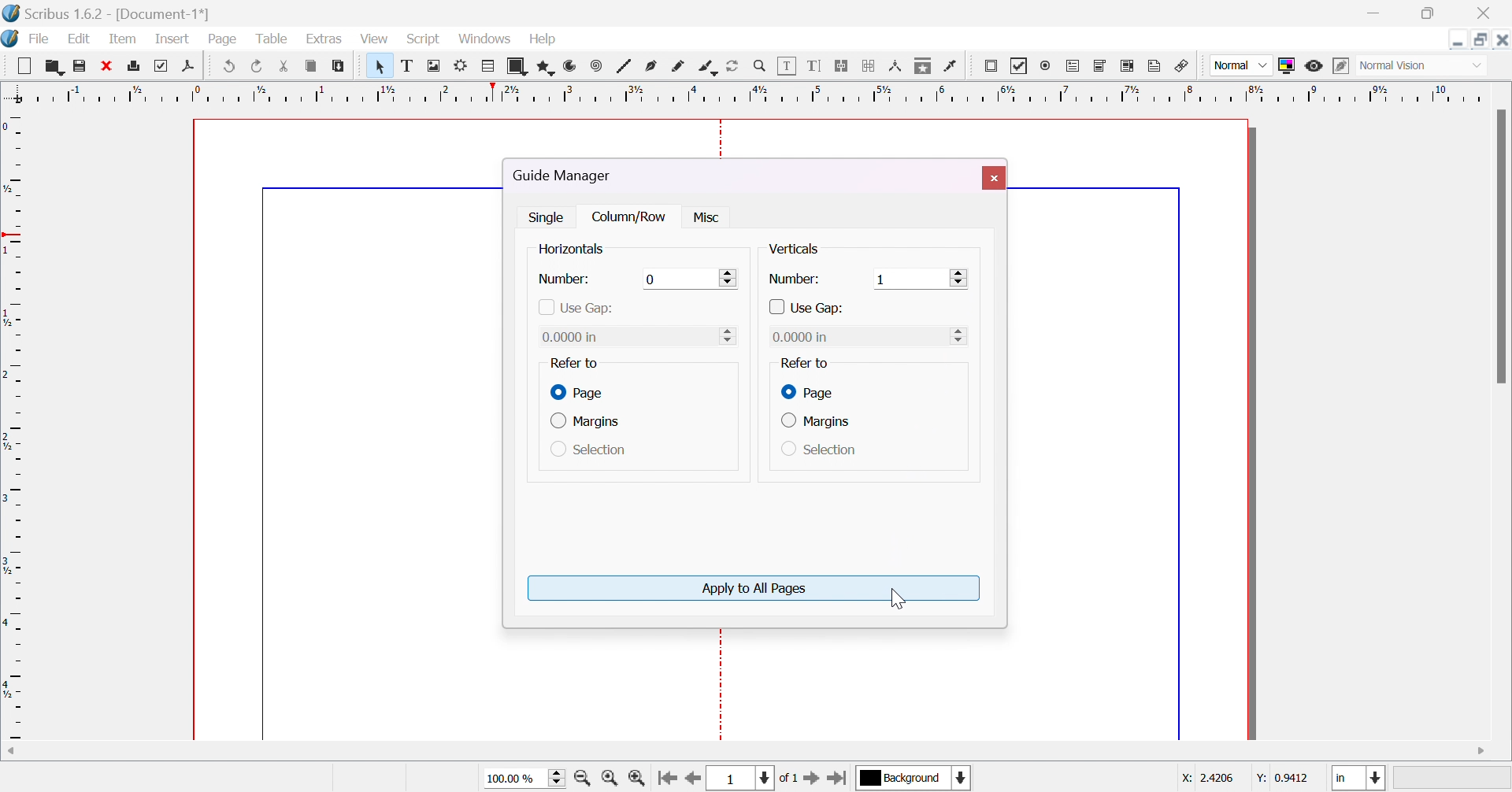 Image resolution: width=1512 pixels, height=792 pixels. I want to click on link annotation, so click(1184, 67).